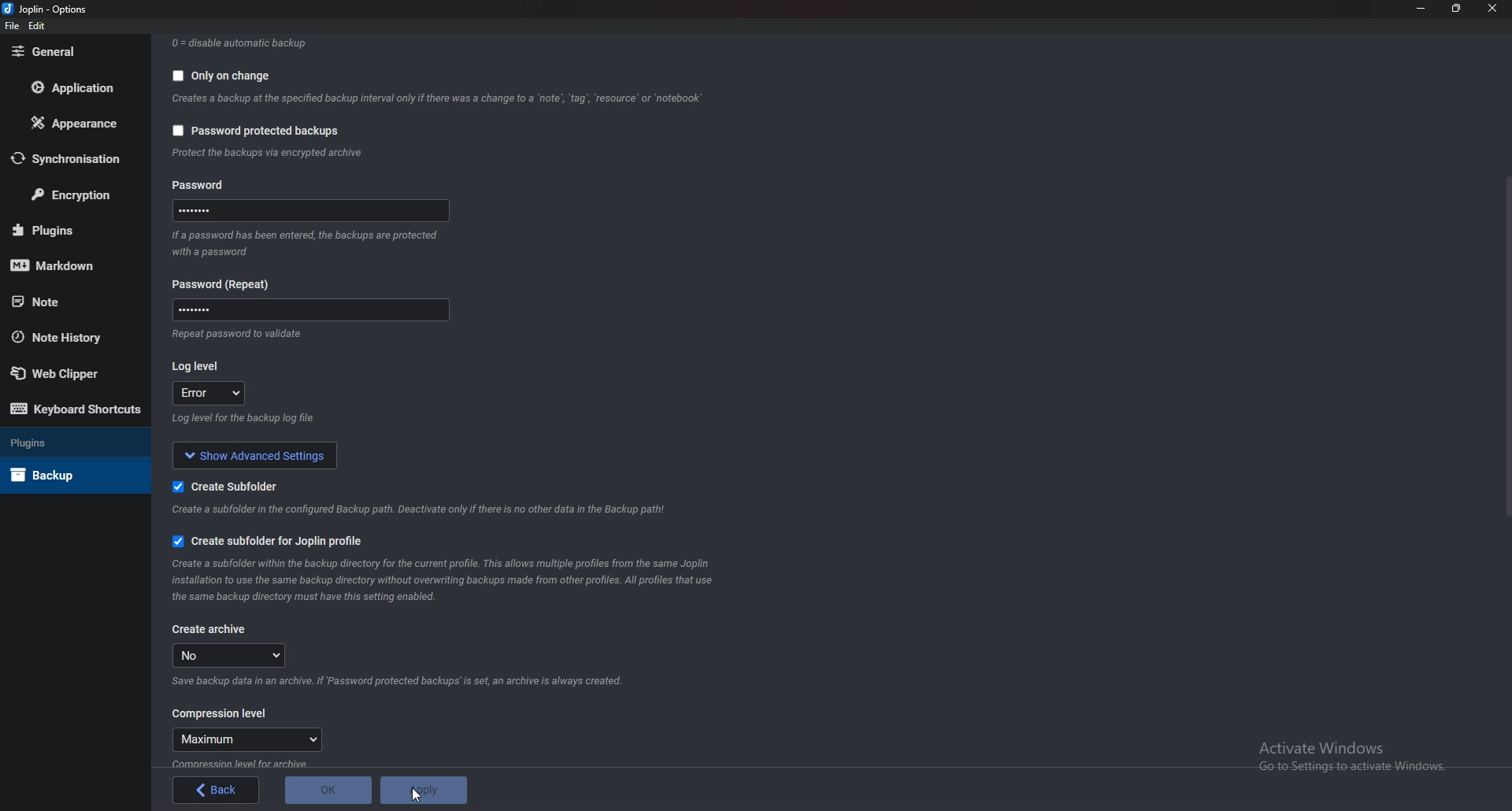 Image resolution: width=1512 pixels, height=811 pixels. What do you see at coordinates (216, 791) in the screenshot?
I see `back` at bounding box center [216, 791].